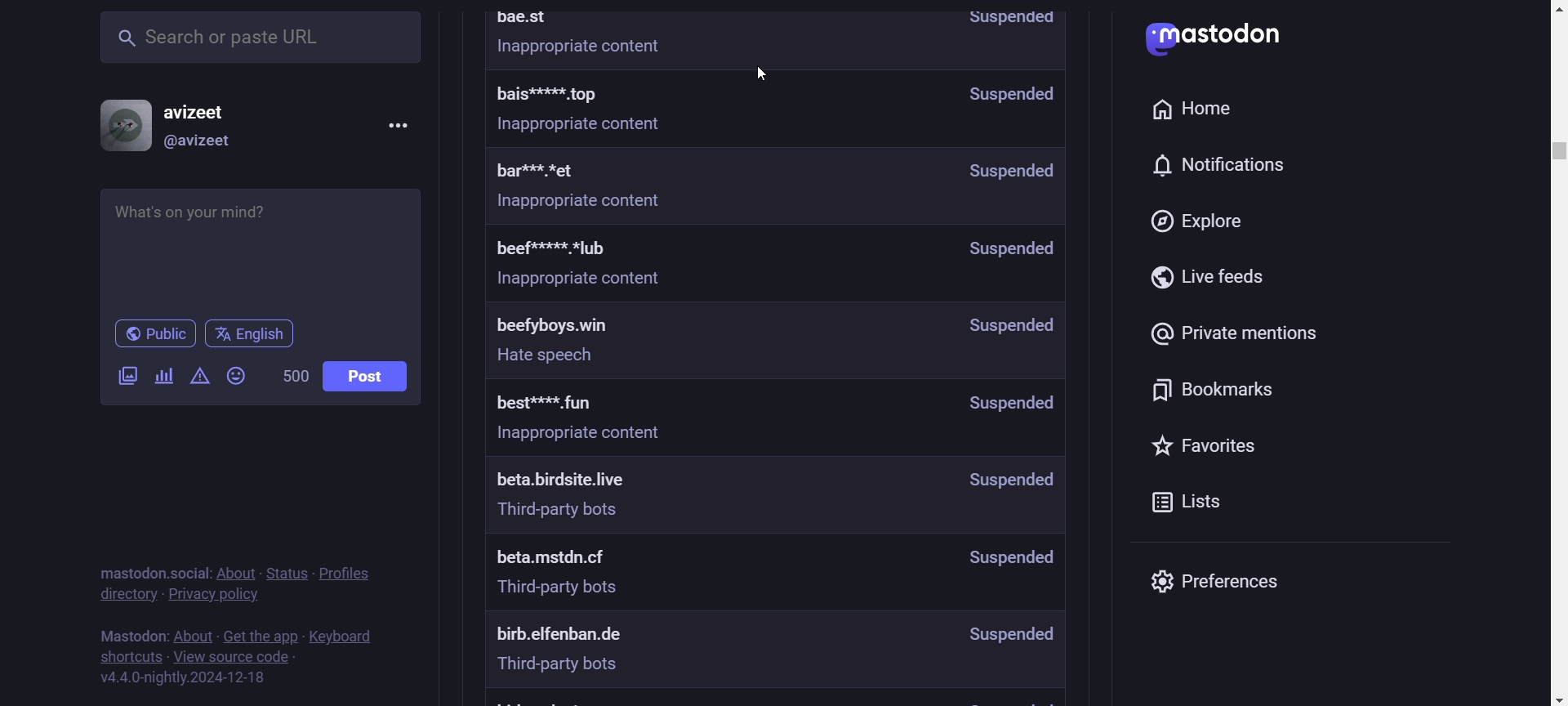  What do you see at coordinates (777, 266) in the screenshot?
I see `moderated server's information` at bounding box center [777, 266].